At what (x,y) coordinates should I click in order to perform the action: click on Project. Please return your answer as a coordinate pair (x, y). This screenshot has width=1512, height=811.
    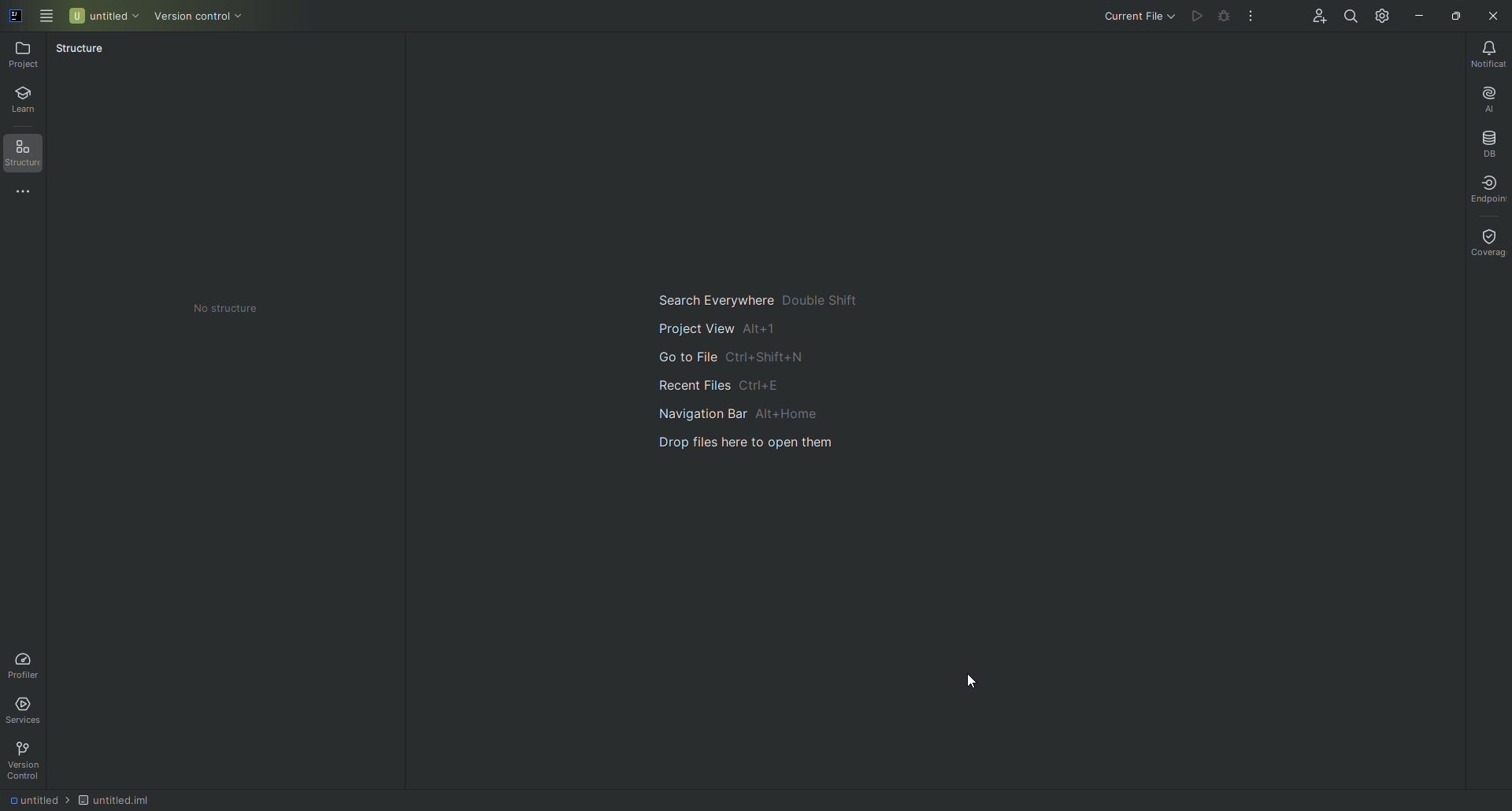
    Looking at the image, I should click on (28, 56).